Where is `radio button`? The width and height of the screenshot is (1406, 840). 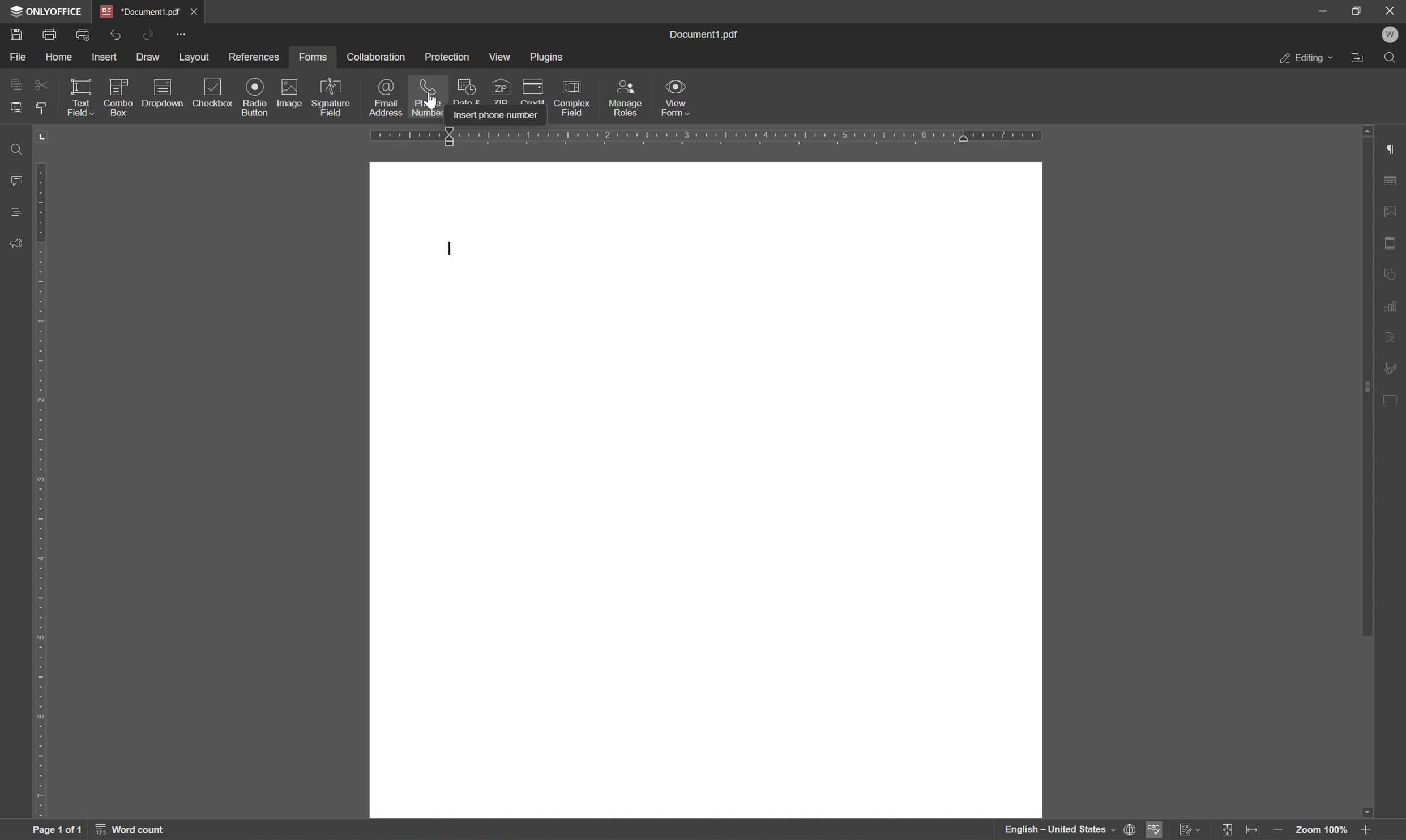
radio button is located at coordinates (255, 96).